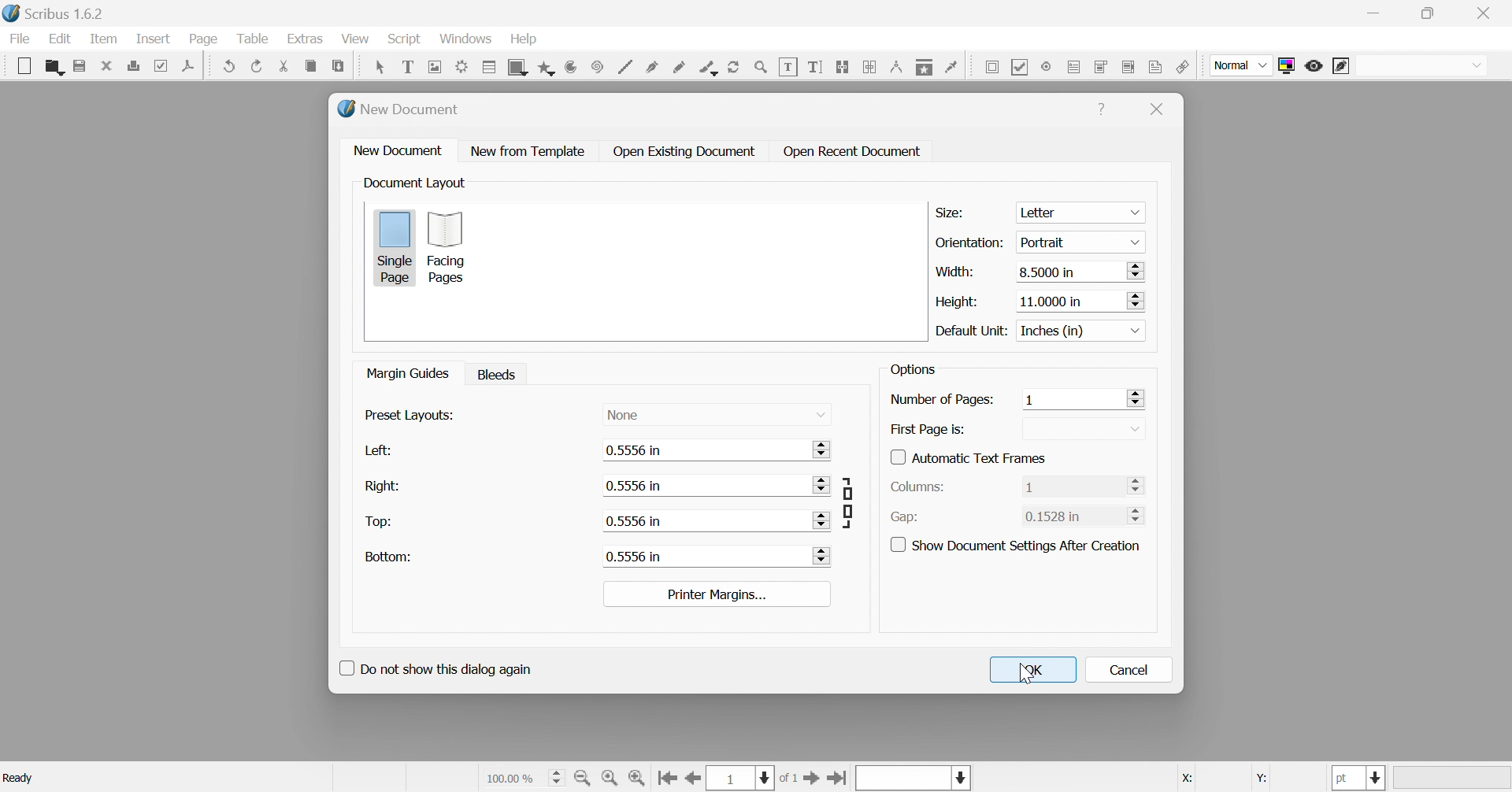 This screenshot has width=1512, height=792. I want to click on zoom in / zoom out, so click(761, 67).